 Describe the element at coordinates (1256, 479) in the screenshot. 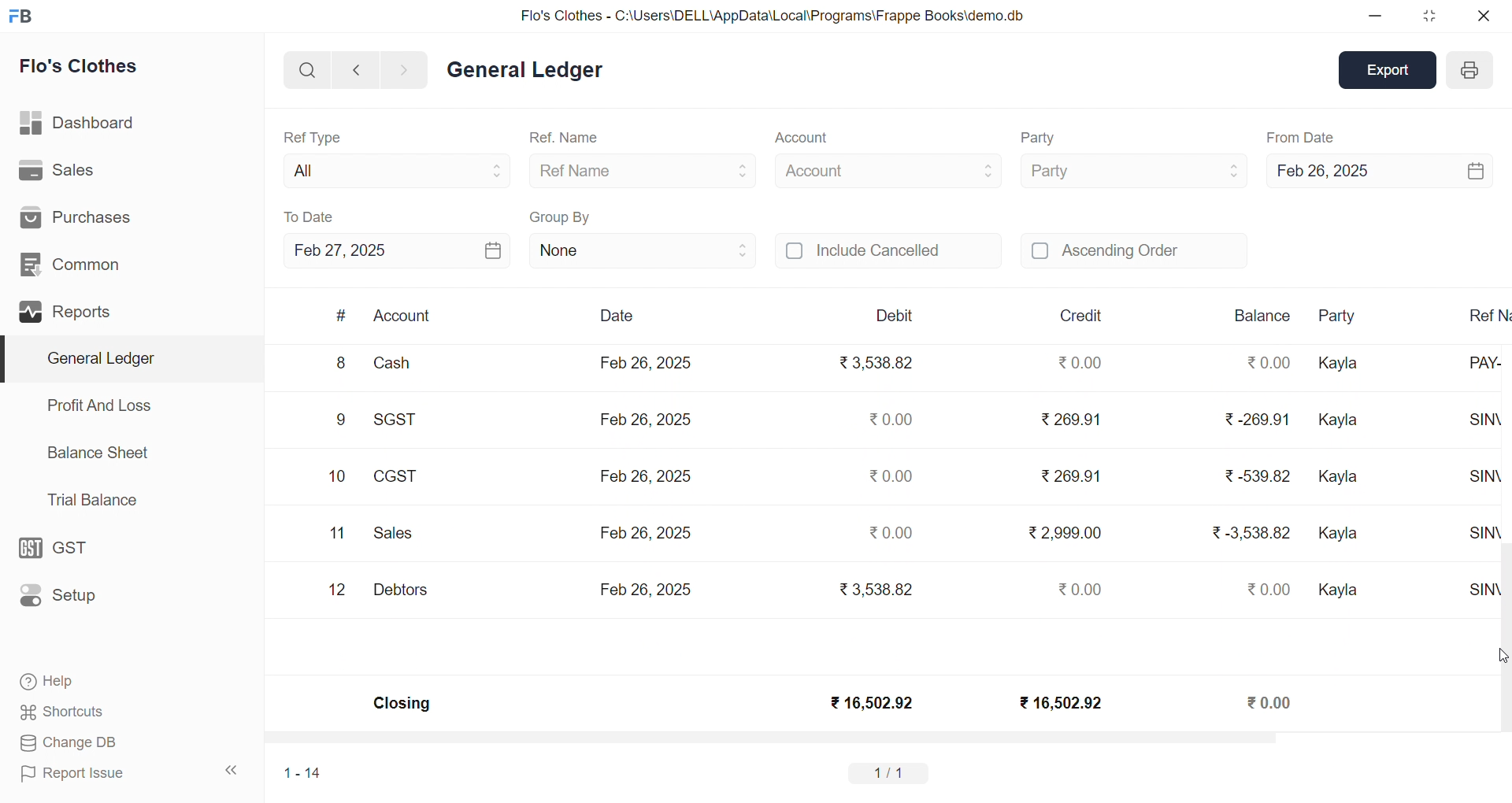

I see `₹-539.82` at that location.